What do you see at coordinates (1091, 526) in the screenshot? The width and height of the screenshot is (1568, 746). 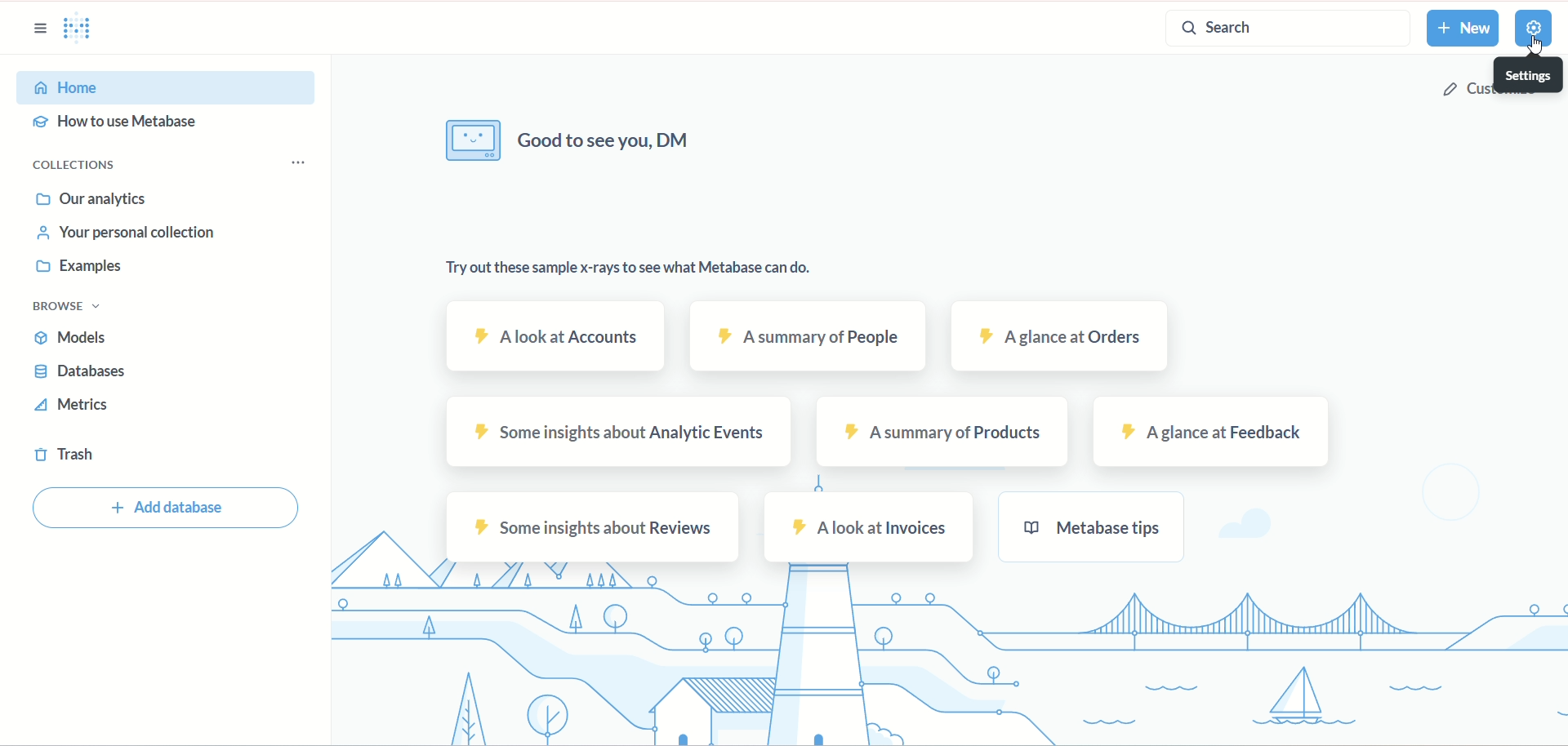 I see `metabase tips` at bounding box center [1091, 526].